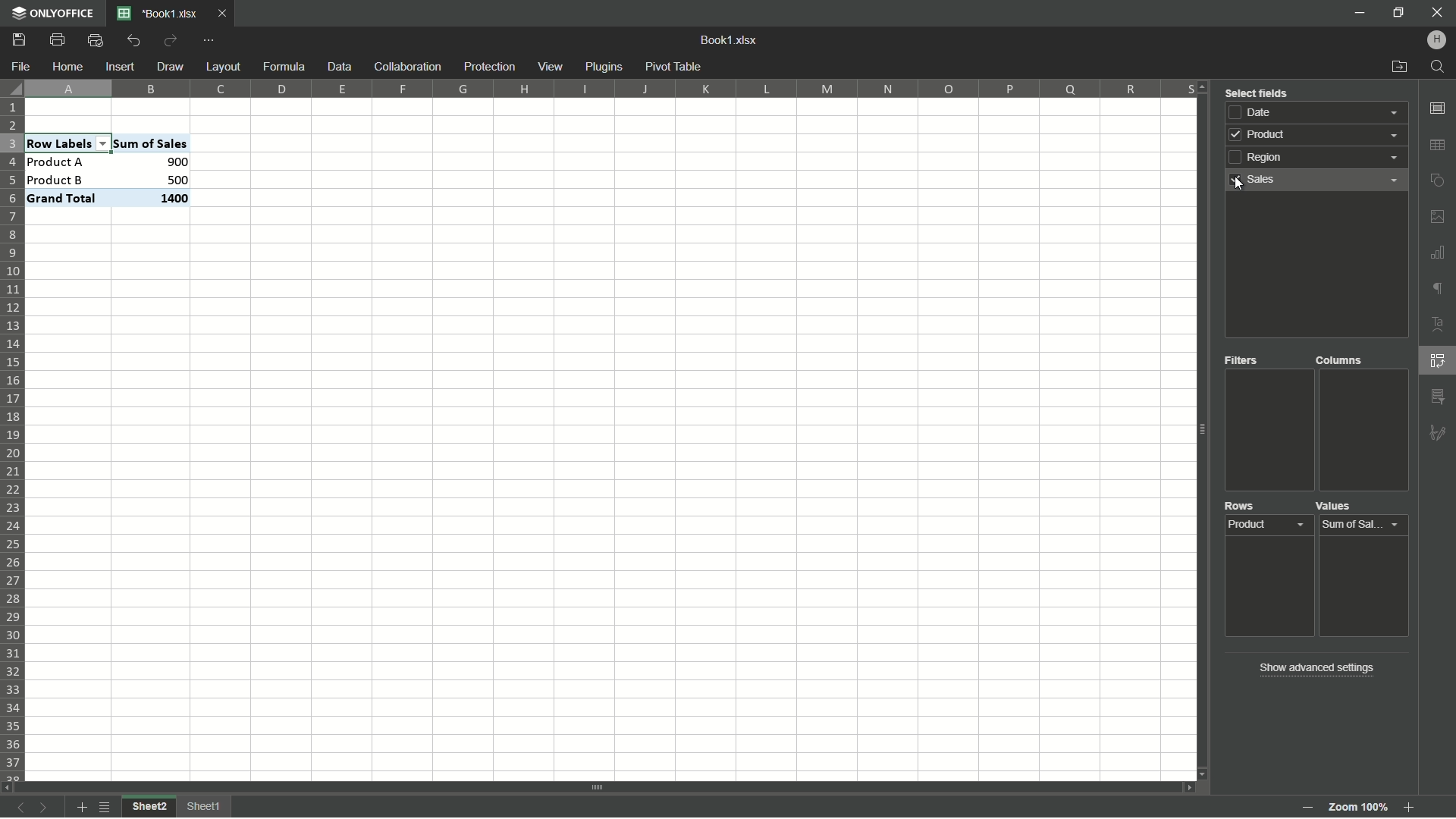 Image resolution: width=1456 pixels, height=819 pixels. I want to click on customize quick access toolbar, so click(210, 42).